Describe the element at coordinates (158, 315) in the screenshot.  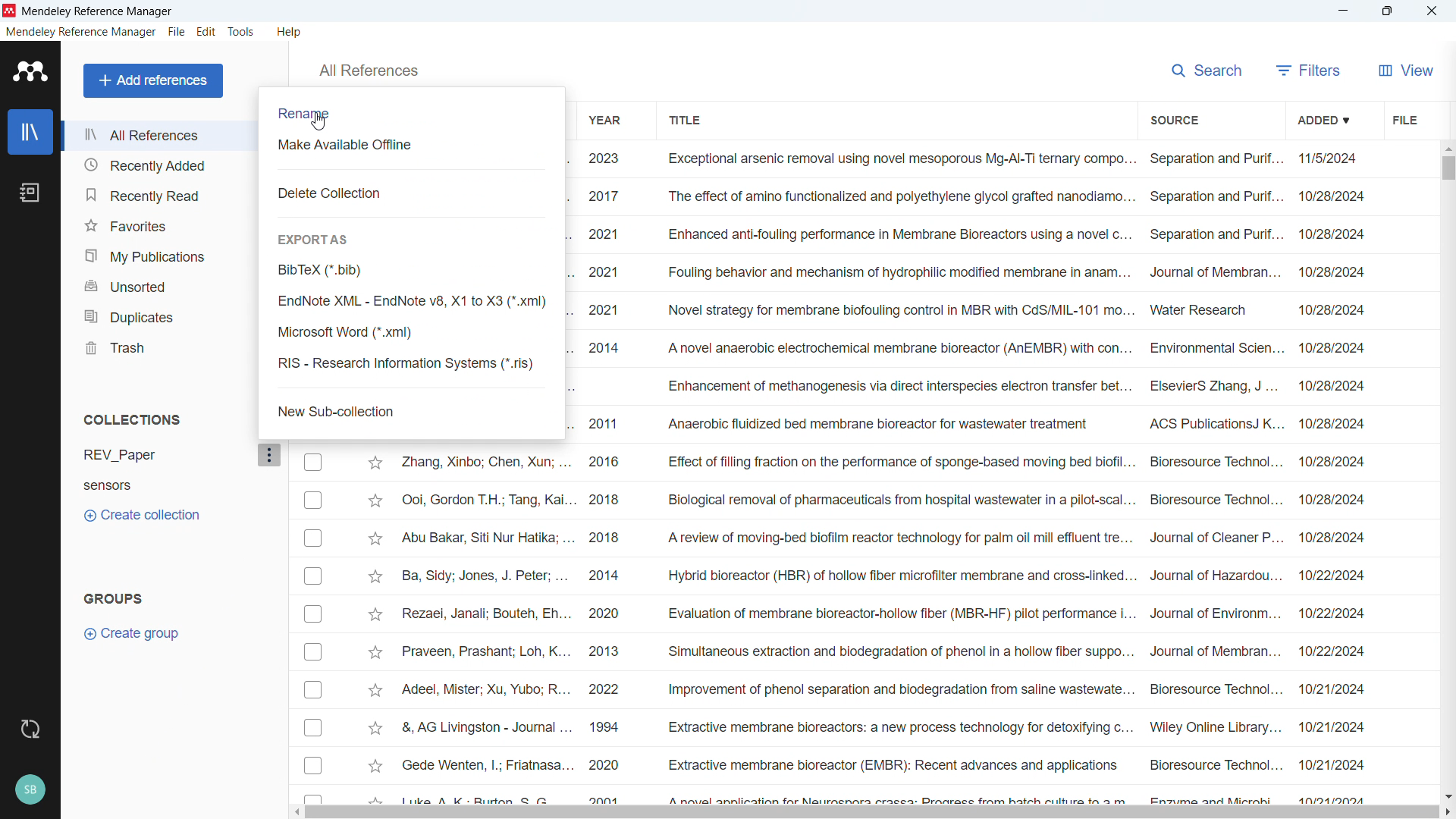
I see `Duplicates ` at that location.